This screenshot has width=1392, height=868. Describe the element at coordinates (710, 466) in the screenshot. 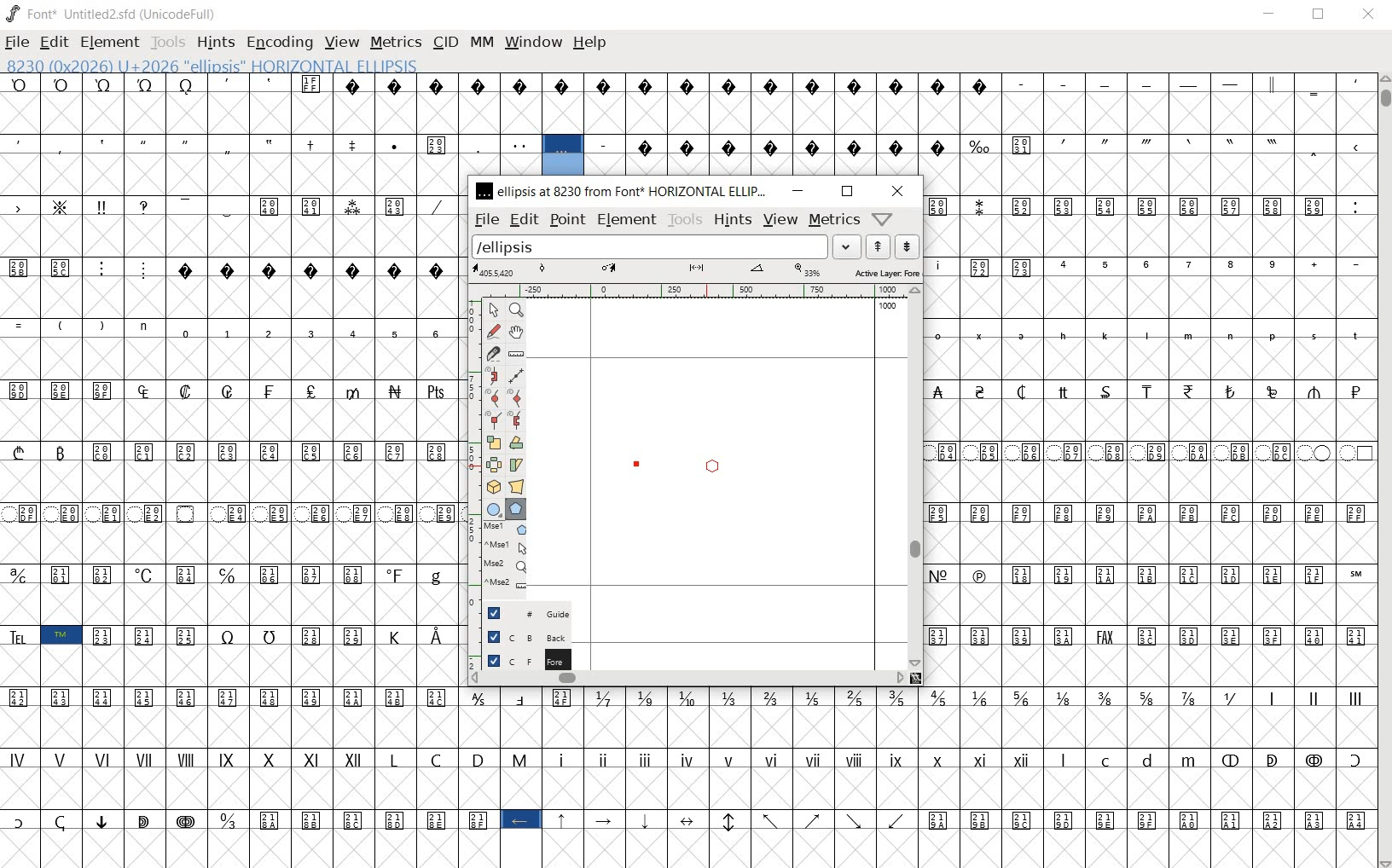

I see `polygon or star/CURSOR LOCATION` at that location.